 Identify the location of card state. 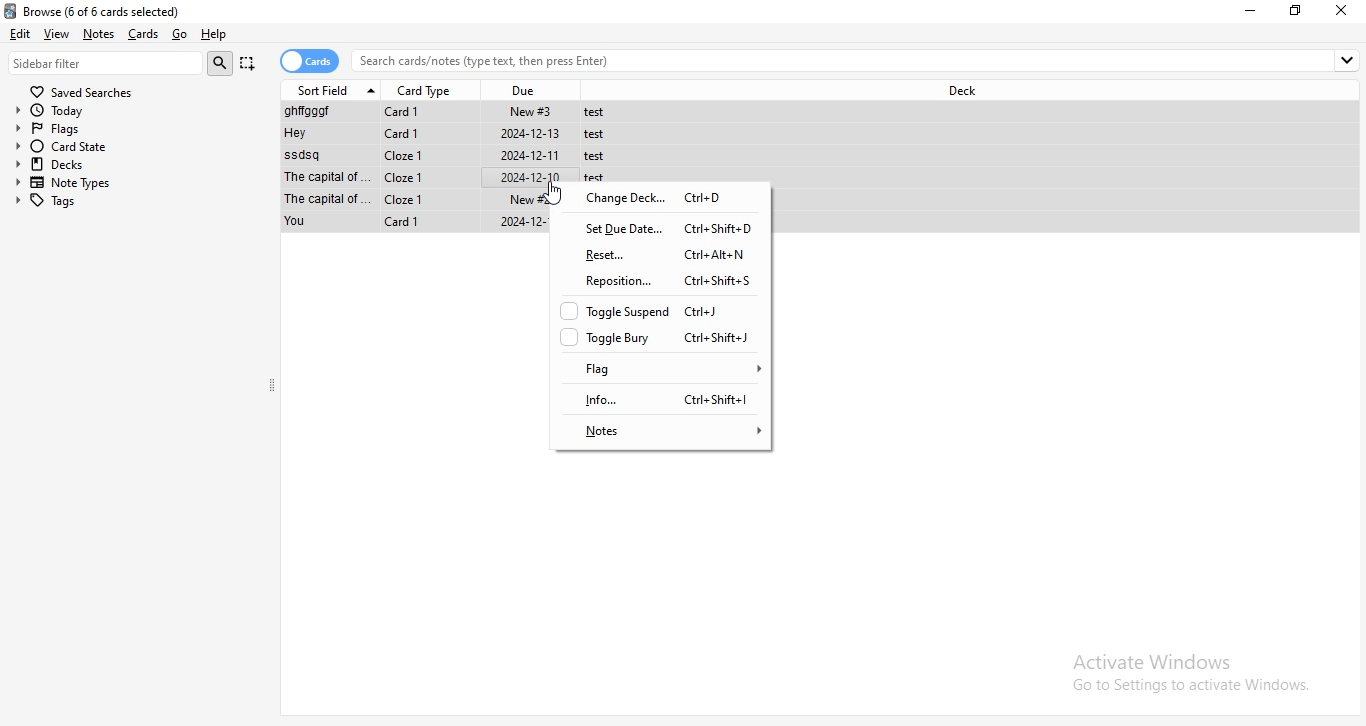
(134, 147).